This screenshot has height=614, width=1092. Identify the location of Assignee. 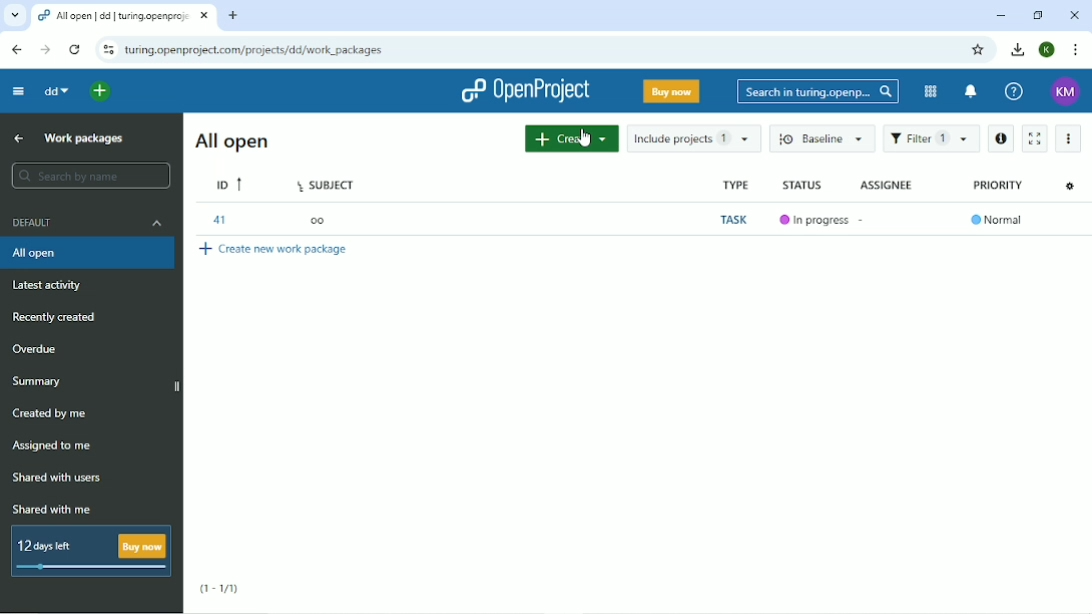
(887, 185).